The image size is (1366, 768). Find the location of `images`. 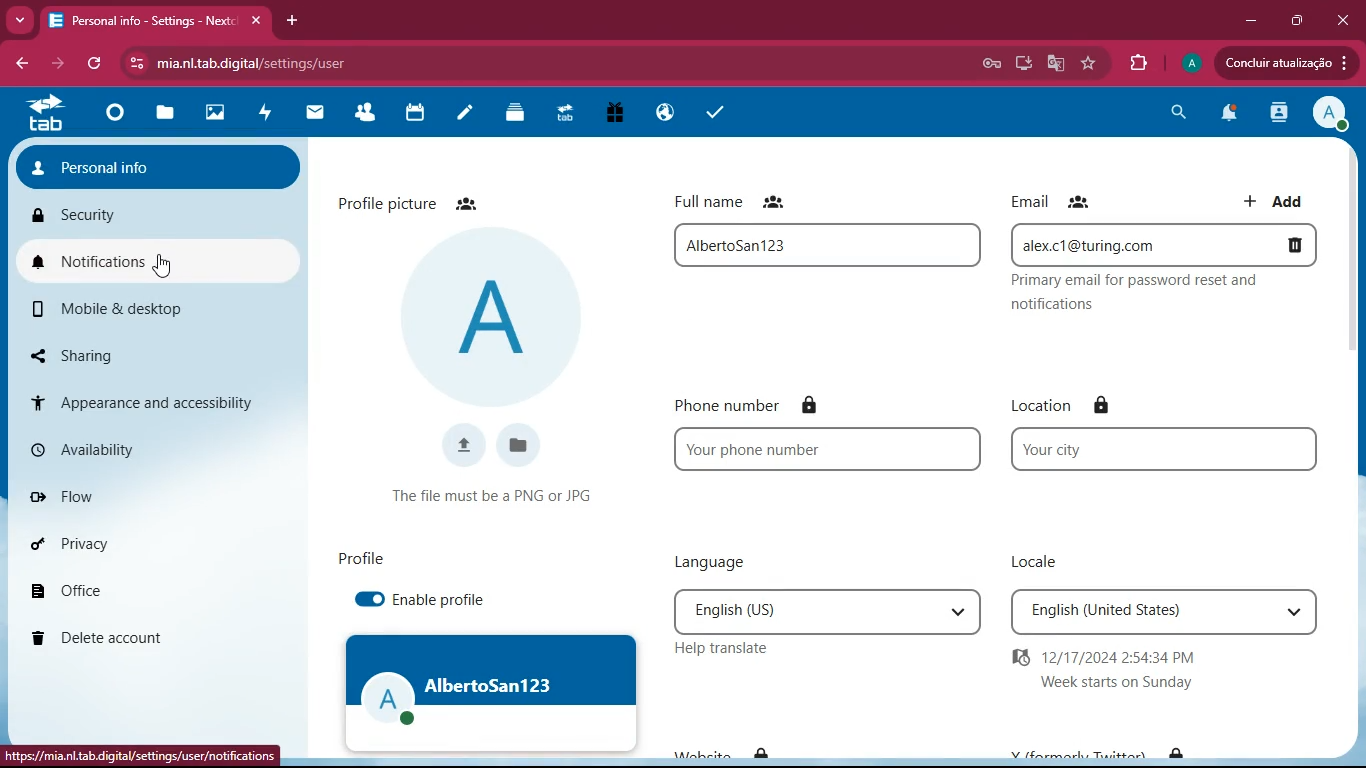

images is located at coordinates (210, 115).